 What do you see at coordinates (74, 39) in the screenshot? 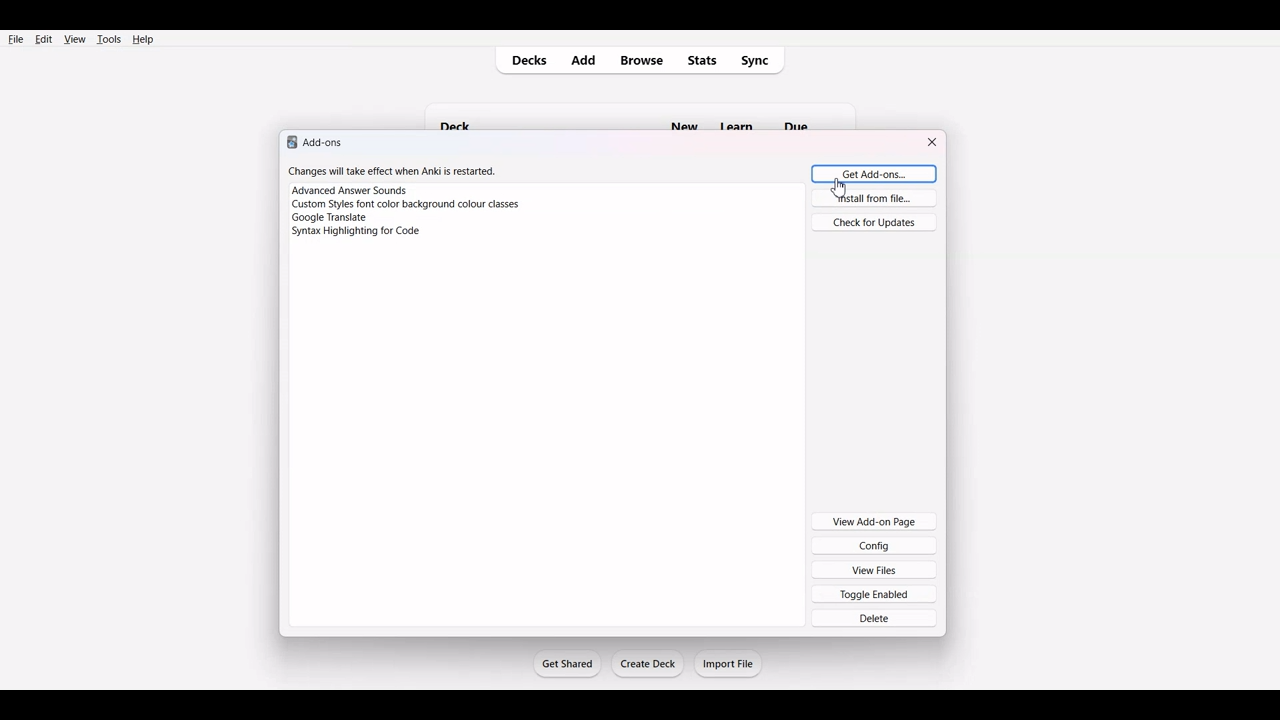
I see `View` at bounding box center [74, 39].